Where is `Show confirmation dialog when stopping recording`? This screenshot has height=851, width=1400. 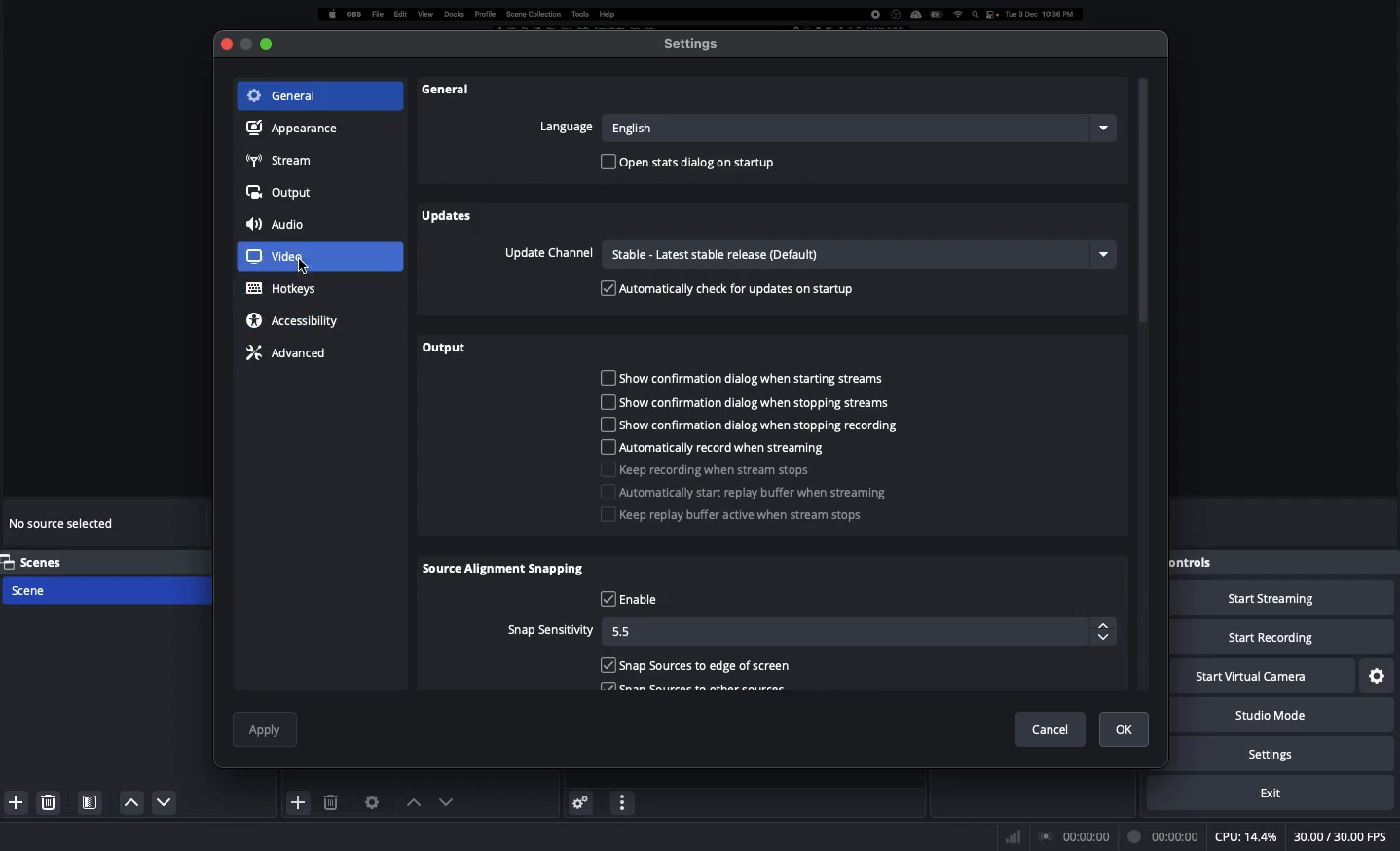
Show confirmation dialog when stopping recording is located at coordinates (753, 426).